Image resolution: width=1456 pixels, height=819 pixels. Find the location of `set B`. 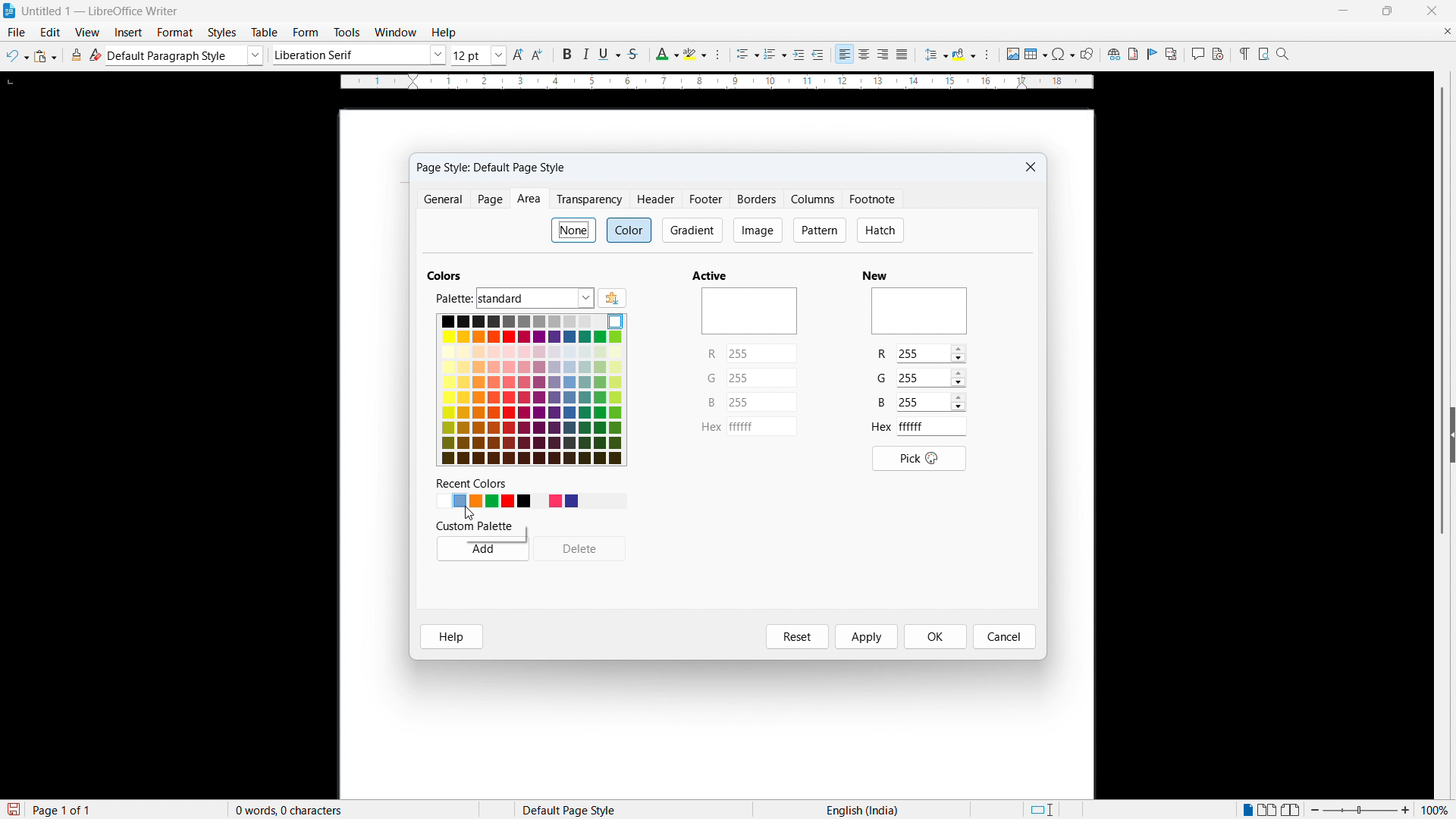

set B is located at coordinates (931, 403).